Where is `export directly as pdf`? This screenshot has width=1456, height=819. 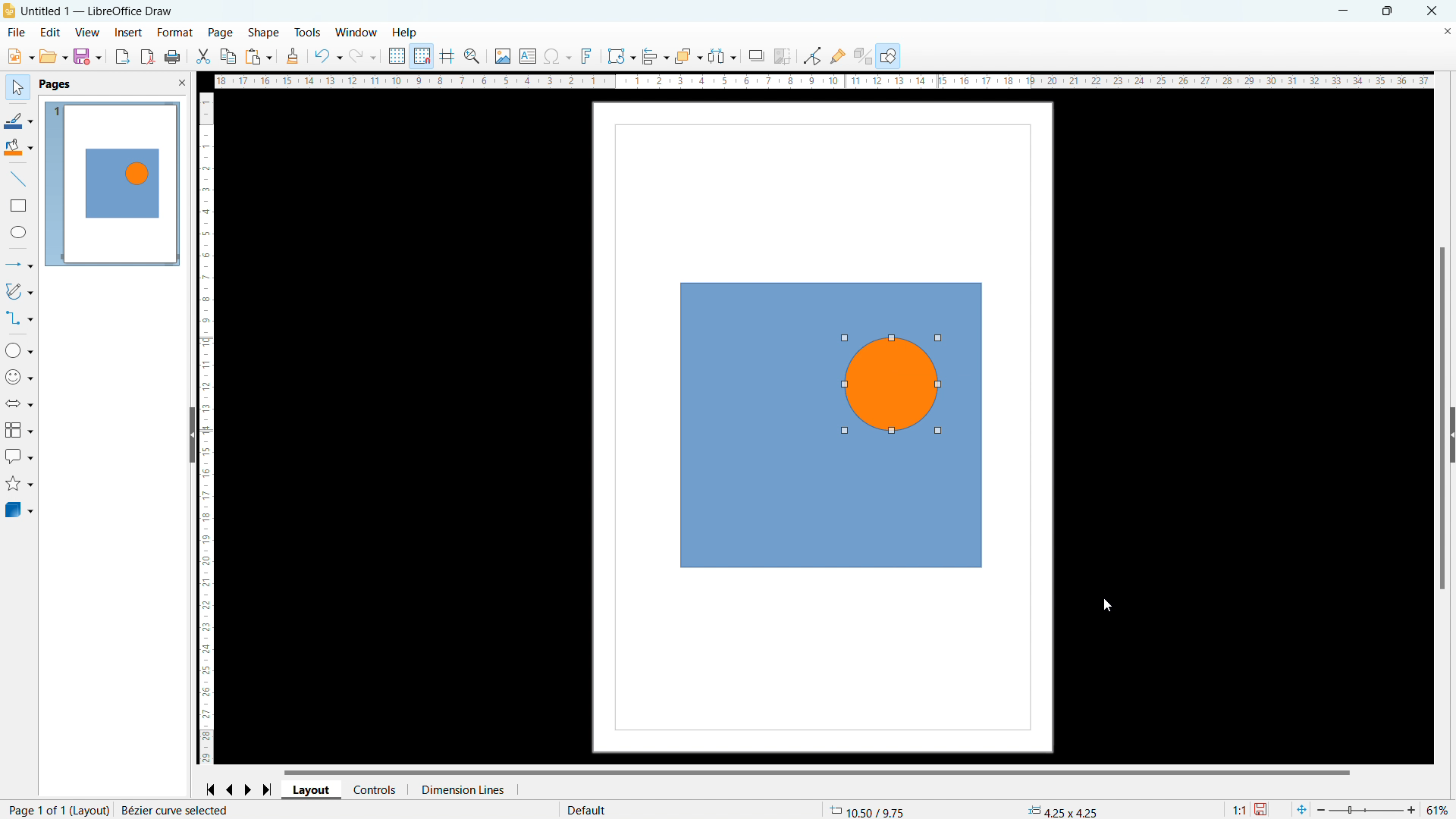 export directly as pdf is located at coordinates (146, 56).